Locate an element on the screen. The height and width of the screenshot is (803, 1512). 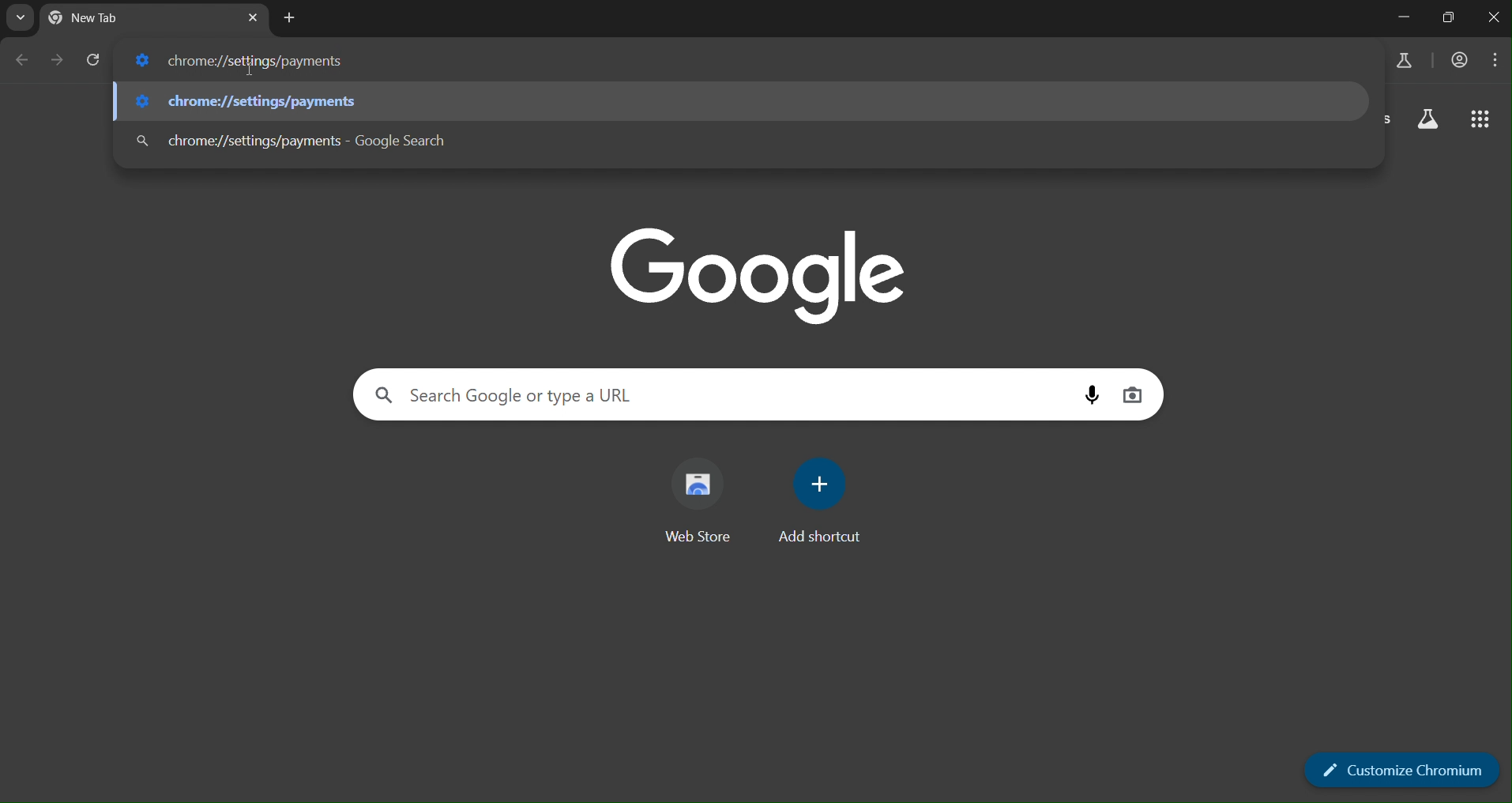
add shortcut is located at coordinates (822, 501).